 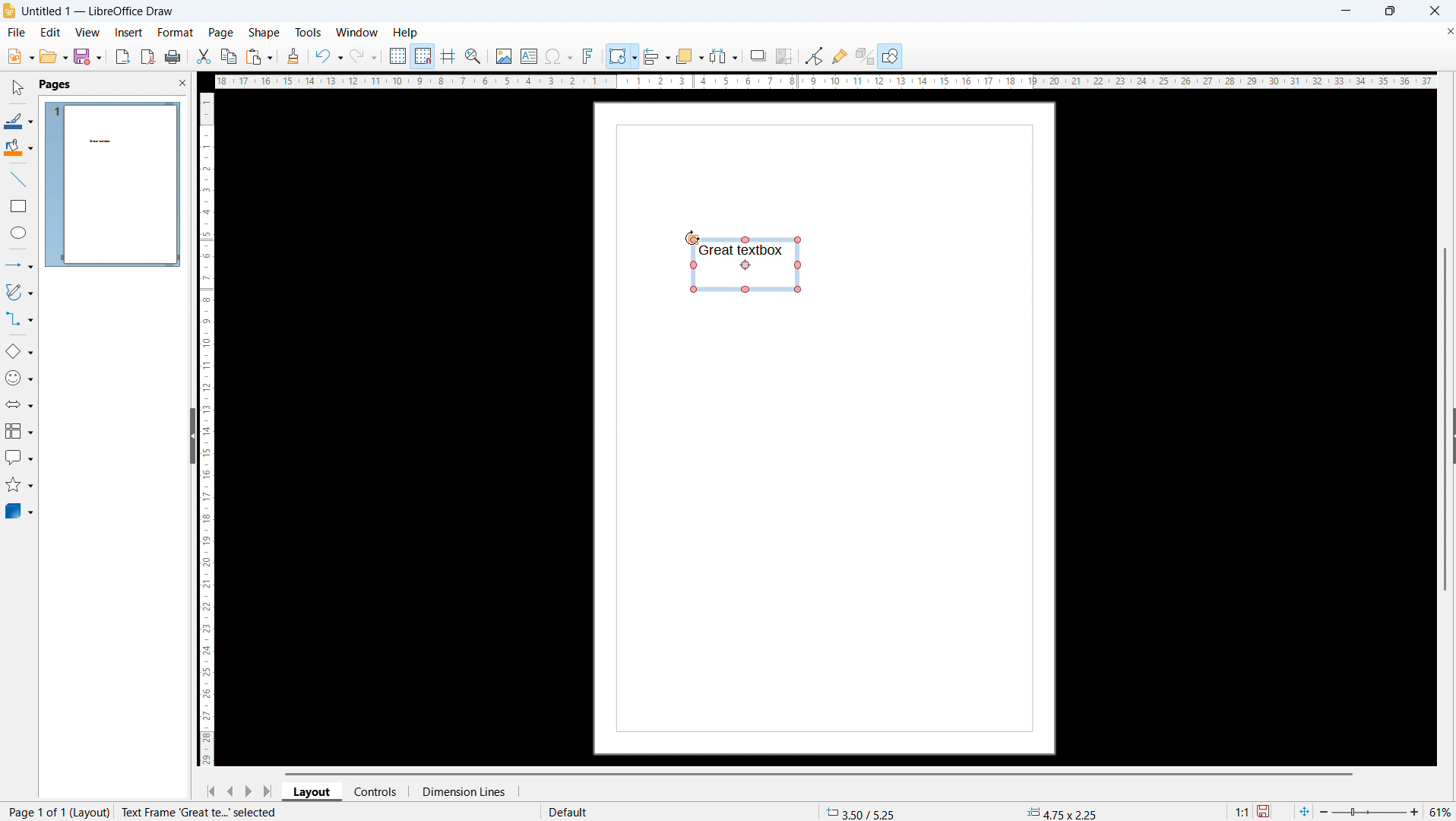 I want to click on clone formatting, so click(x=293, y=55).